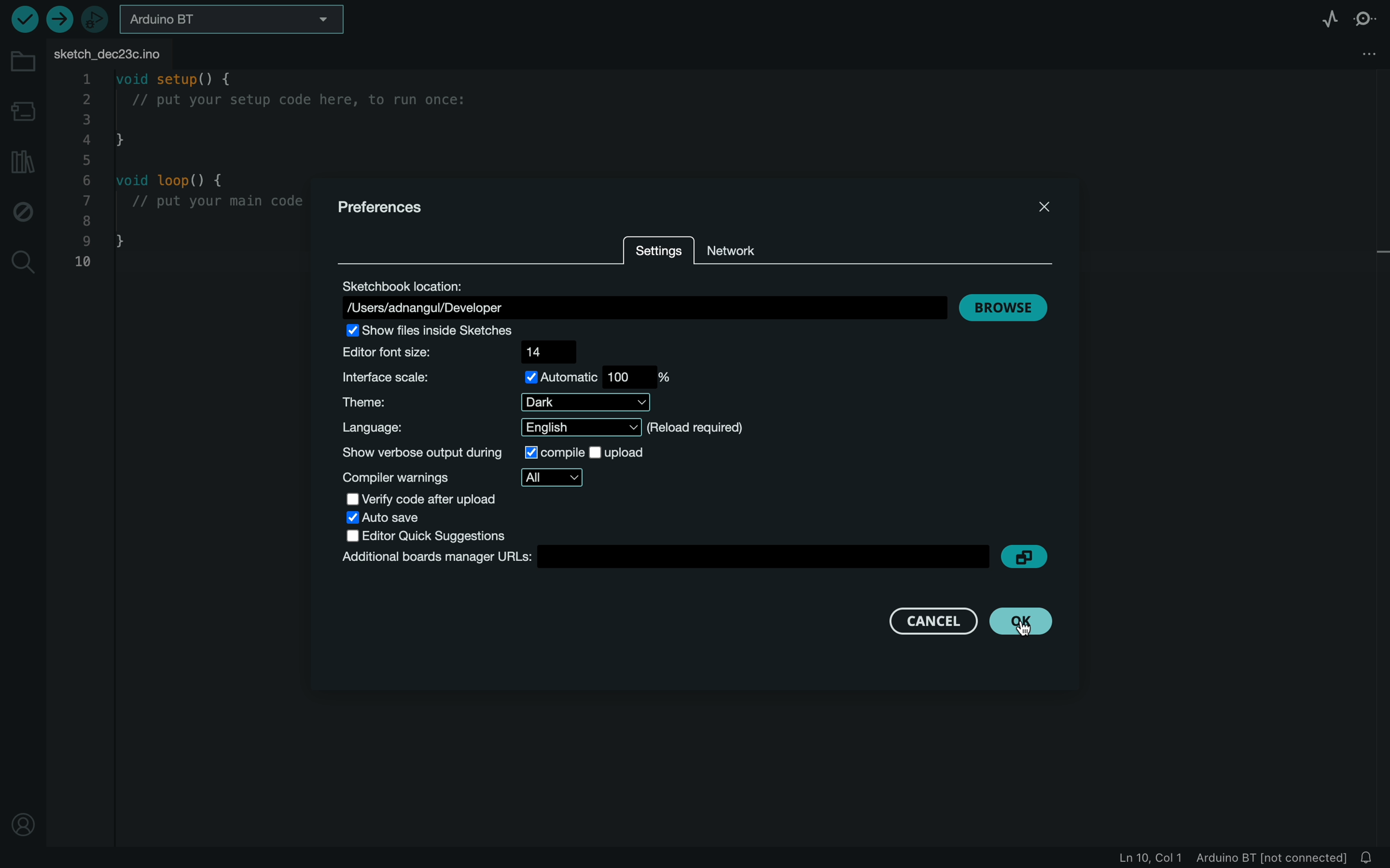 Image resolution: width=1390 pixels, height=868 pixels. What do you see at coordinates (418, 451) in the screenshot?
I see `show` at bounding box center [418, 451].